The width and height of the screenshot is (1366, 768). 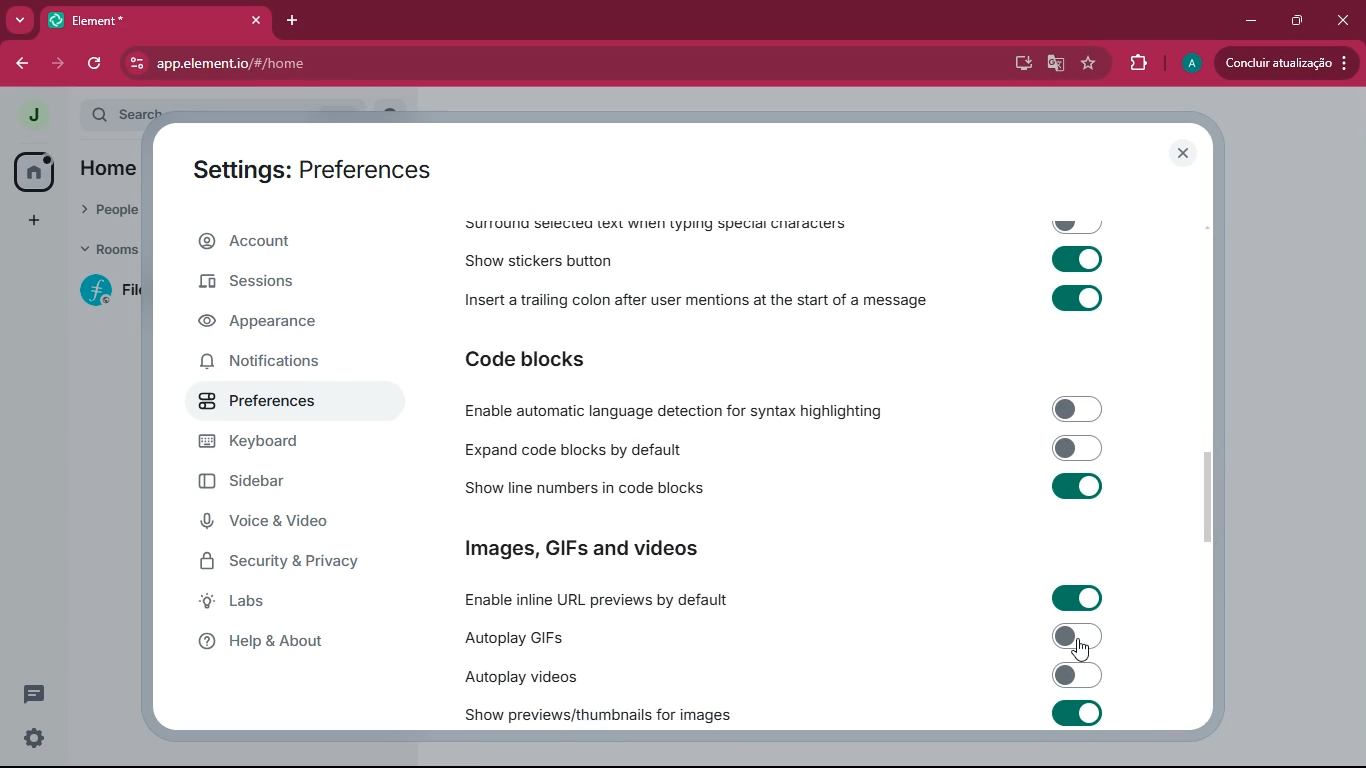 What do you see at coordinates (318, 167) in the screenshot?
I see `settings: preferences` at bounding box center [318, 167].